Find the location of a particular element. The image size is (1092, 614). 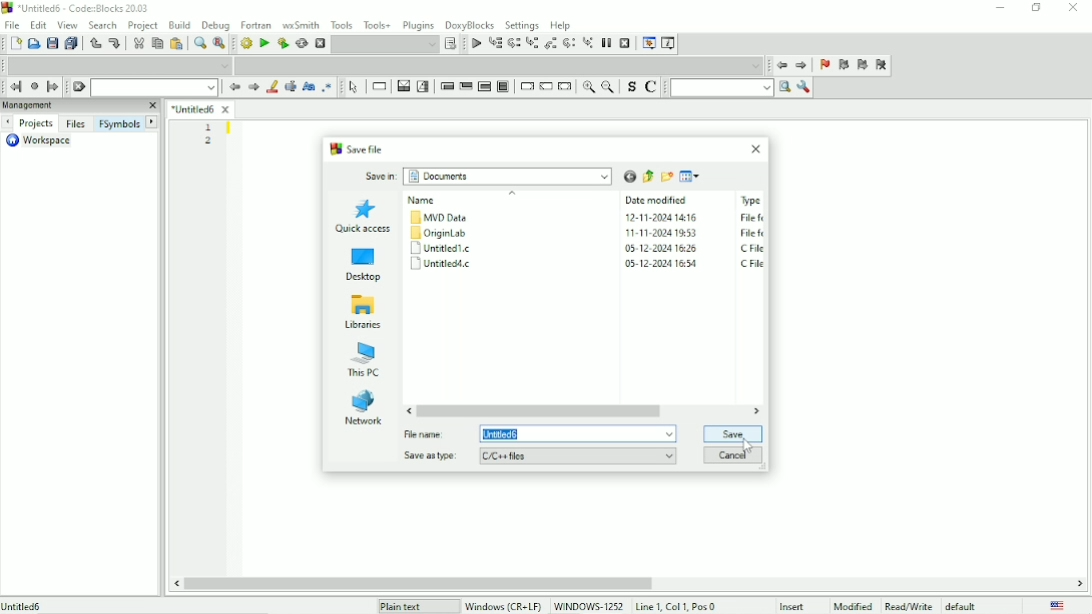

Files is located at coordinates (76, 124).